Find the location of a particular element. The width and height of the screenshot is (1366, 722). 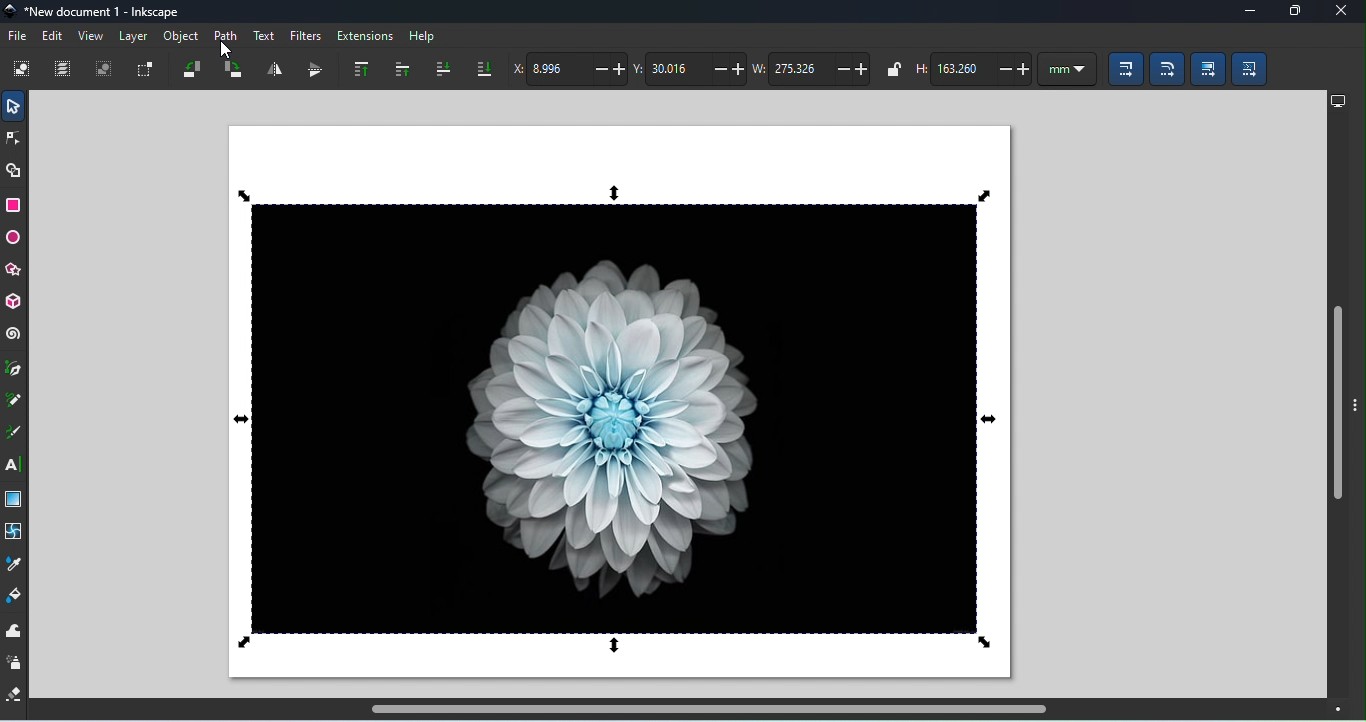

Spray tool is located at coordinates (15, 663).